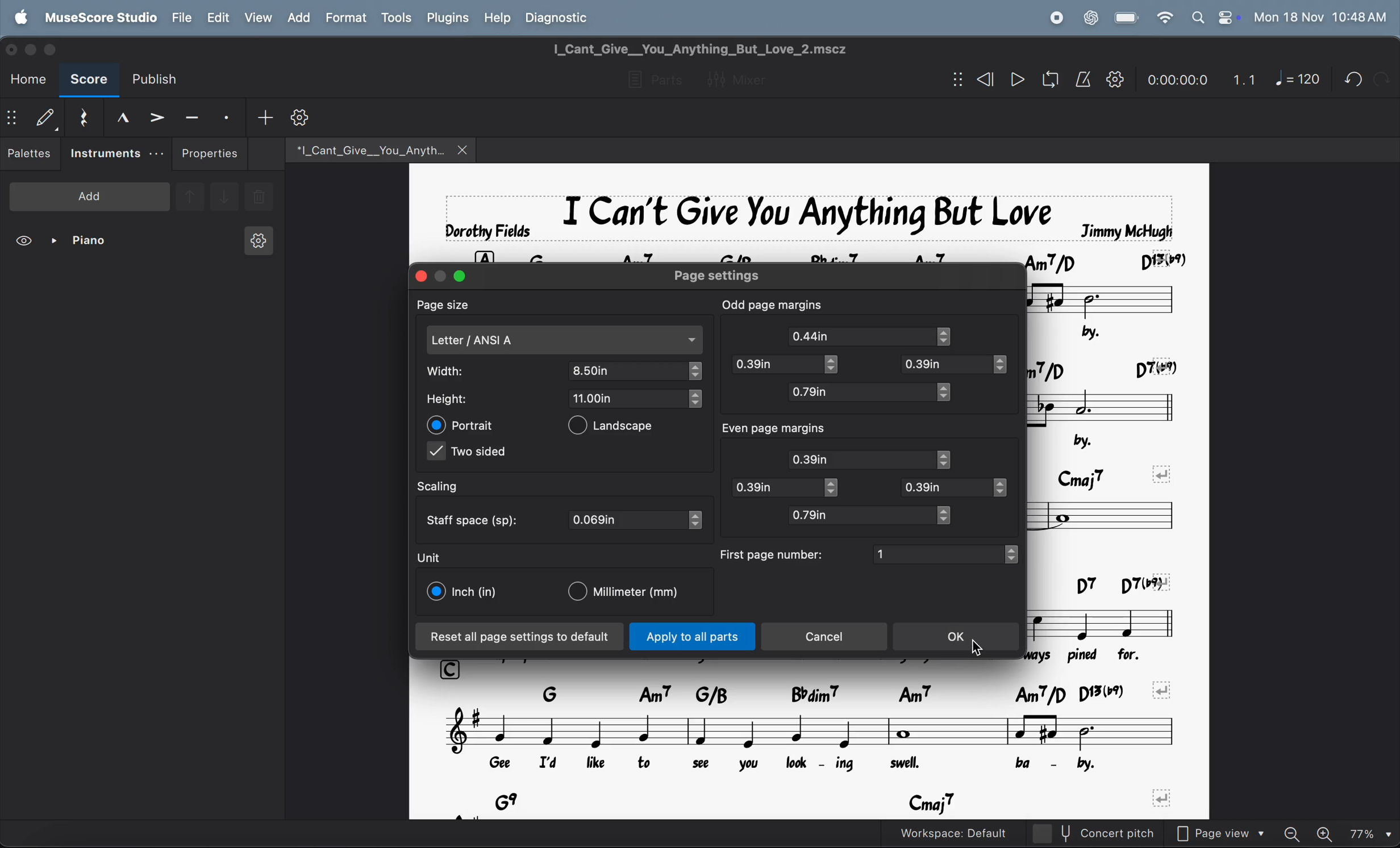 The width and height of the screenshot is (1400, 848). What do you see at coordinates (946, 392) in the screenshot?
I see `toggle` at bounding box center [946, 392].